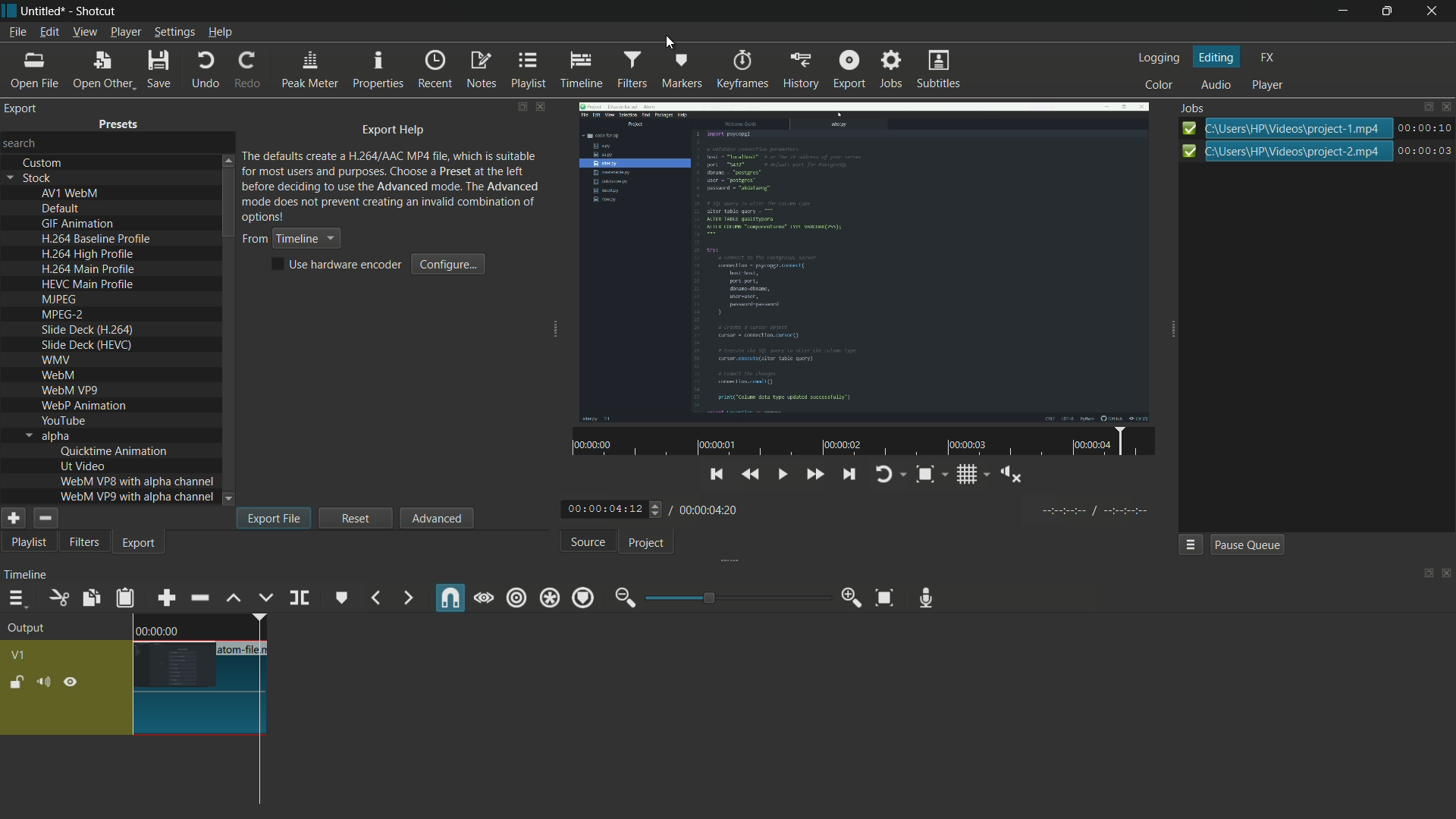  Describe the element at coordinates (55, 361) in the screenshot. I see `wmv` at that location.